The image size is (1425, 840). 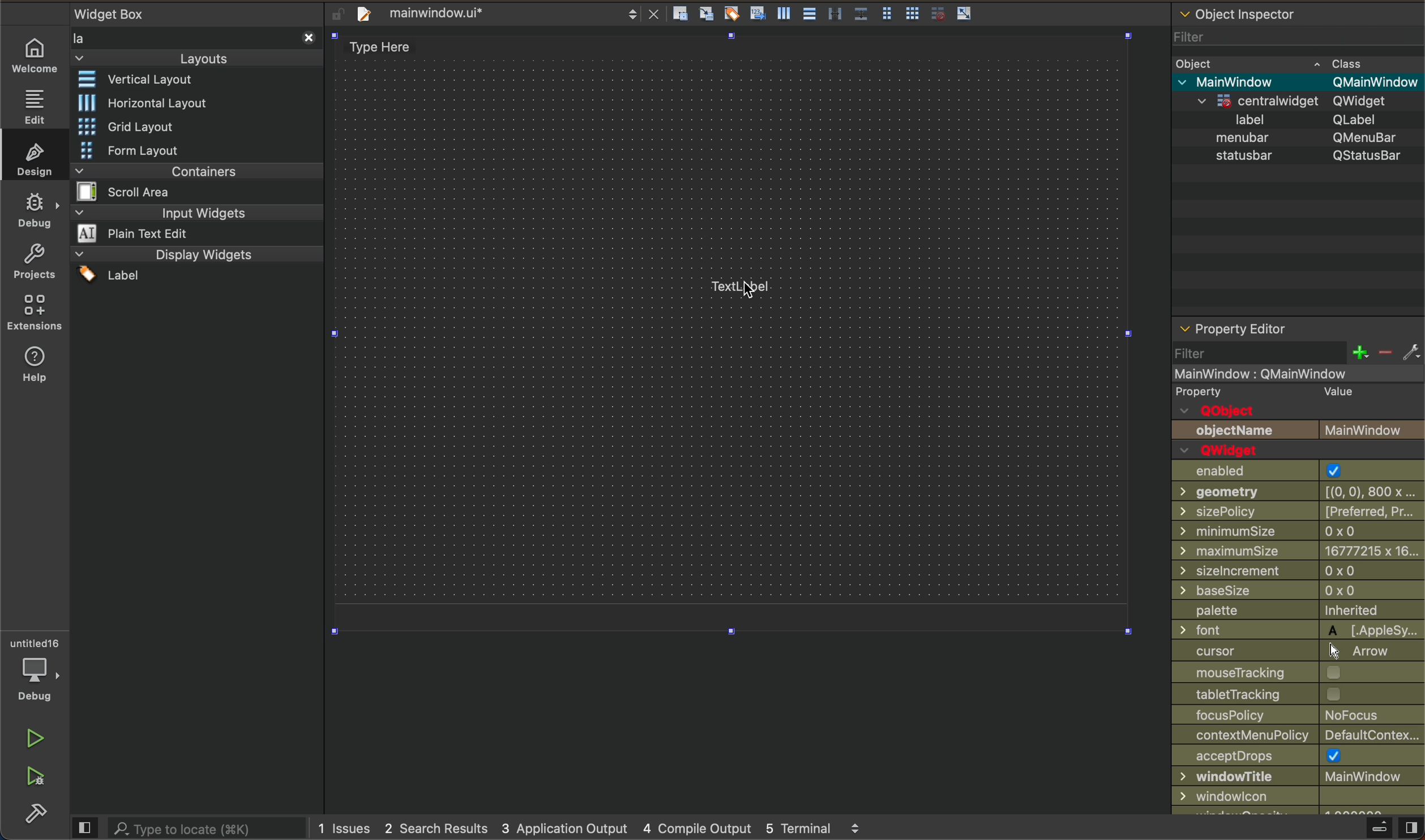 What do you see at coordinates (1234, 798) in the screenshot?
I see `windowicon` at bounding box center [1234, 798].